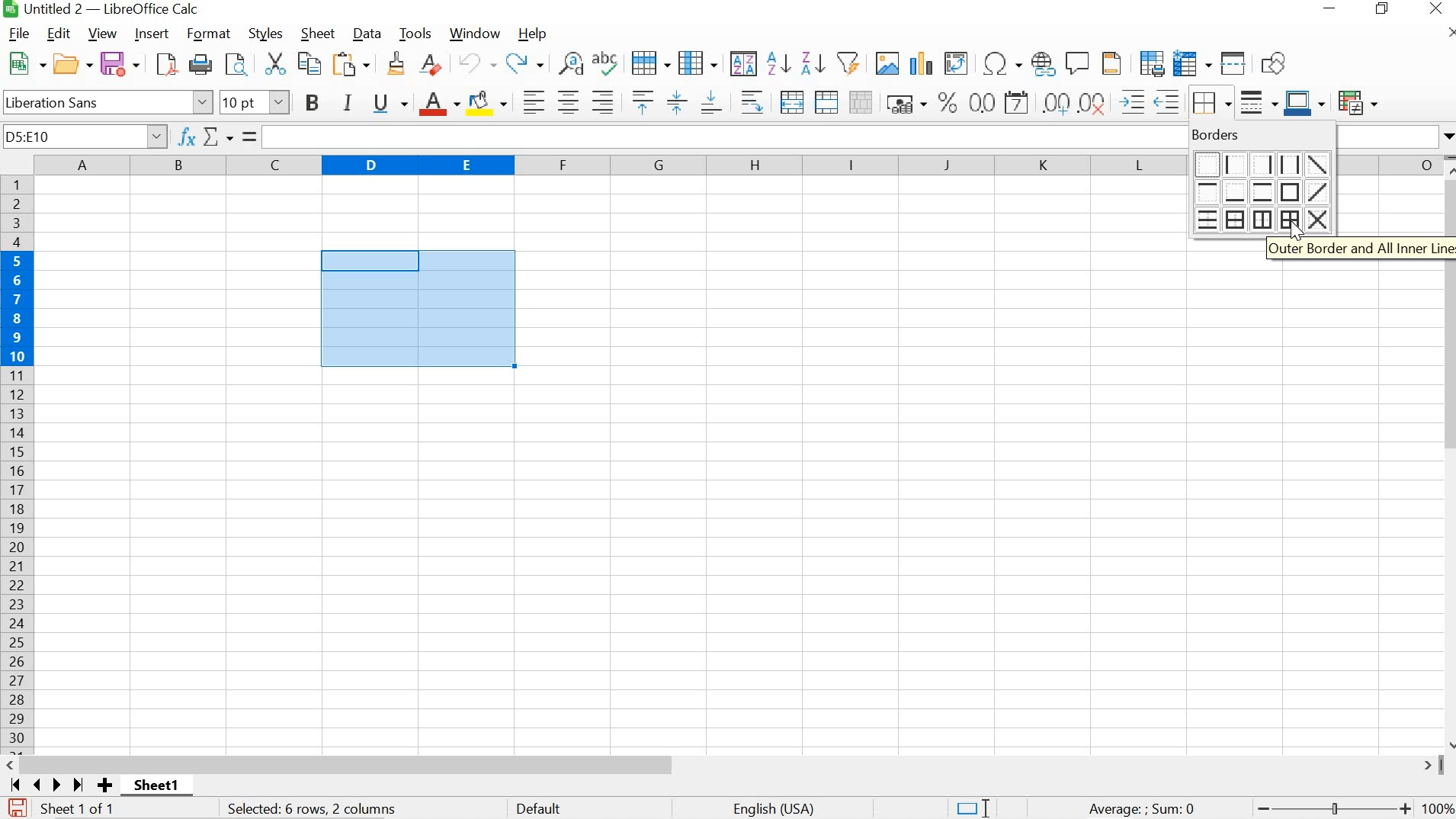 The image size is (1456, 819). Describe the element at coordinates (793, 101) in the screenshot. I see `MERGE AND CENTER OR UNMERGE CELLS DEPENDING ON THE CURRENT TOGGLE STATE` at that location.